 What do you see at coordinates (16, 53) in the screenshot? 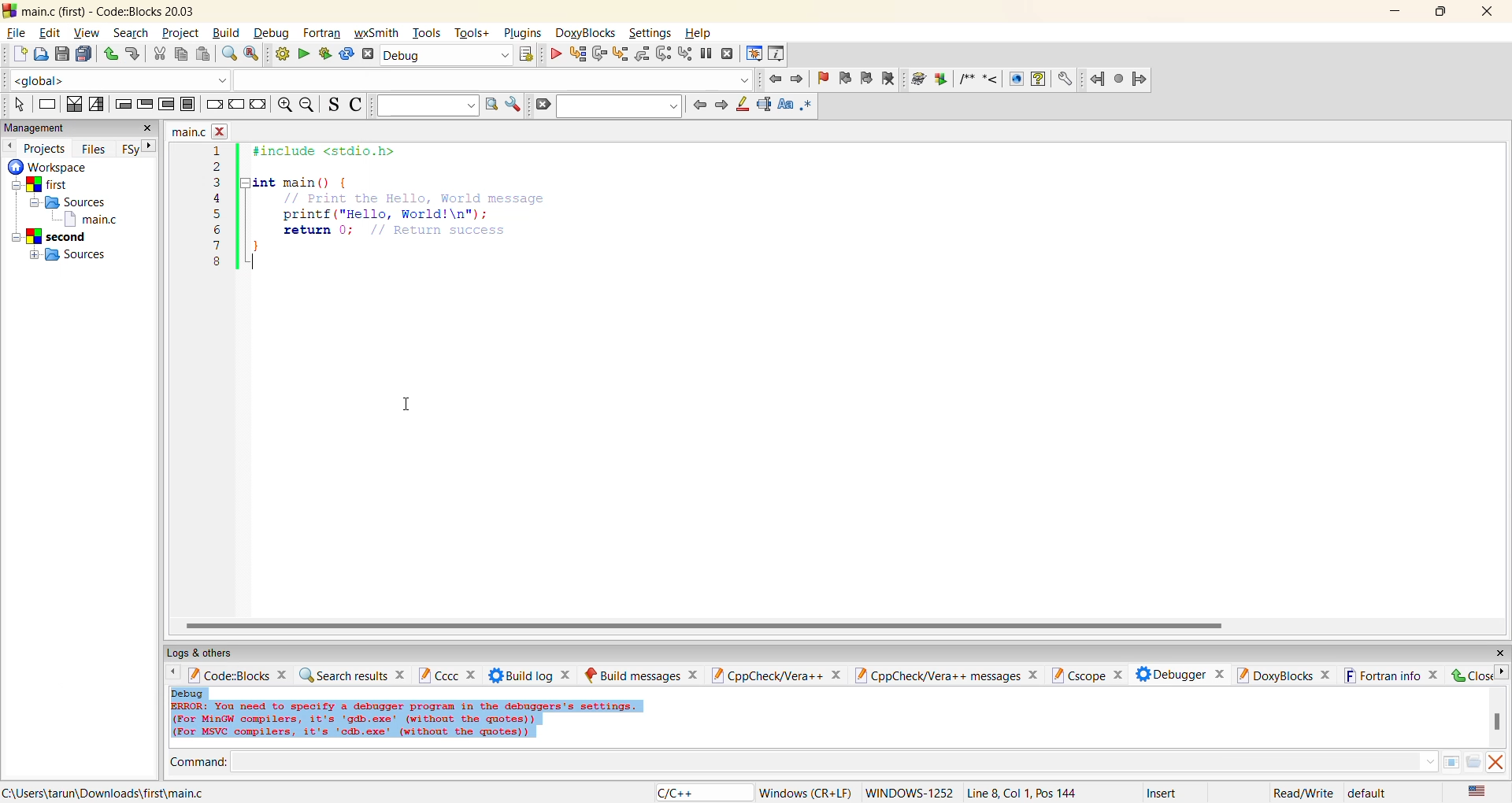
I see `new` at bounding box center [16, 53].